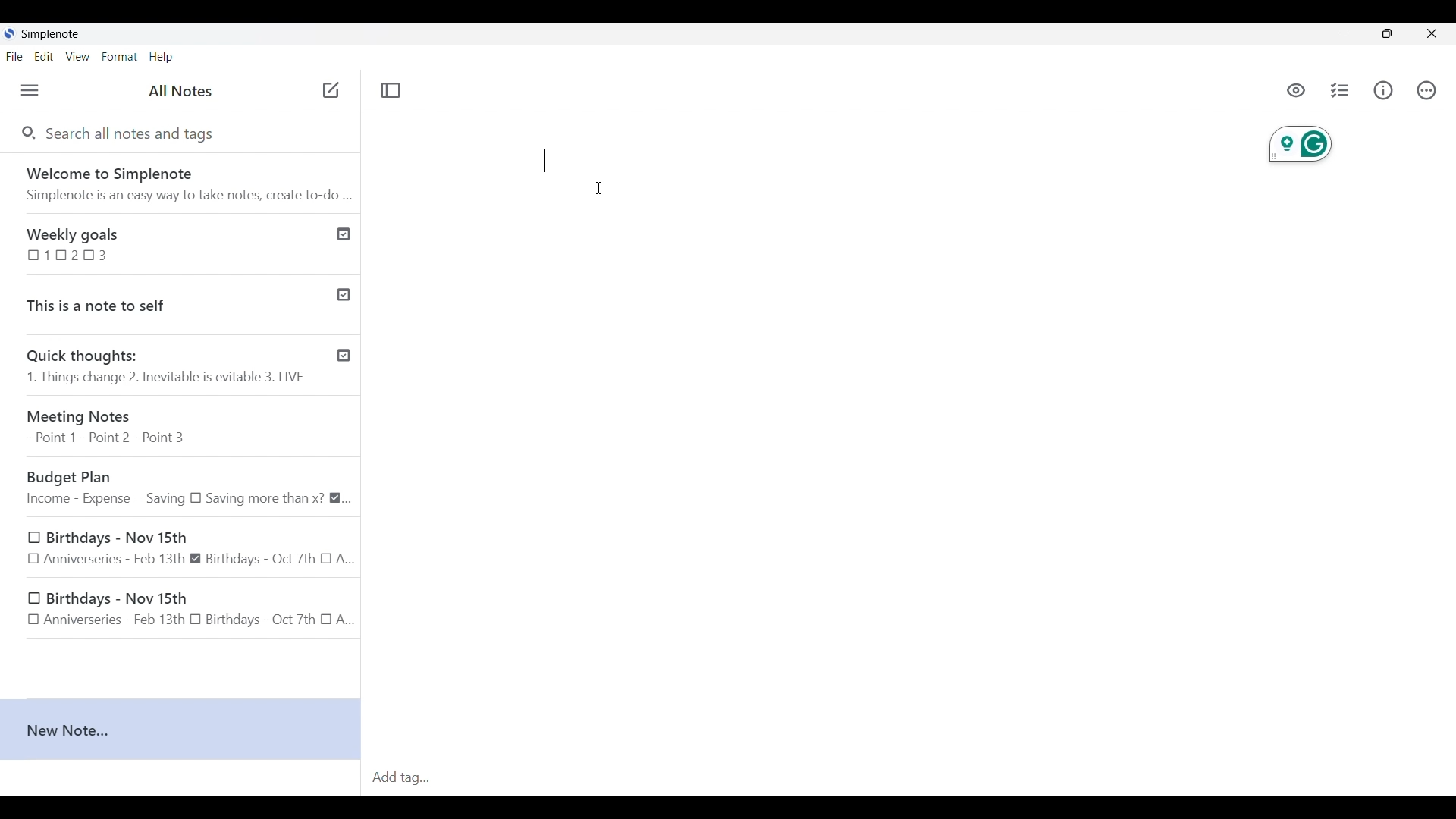 The image size is (1456, 819). What do you see at coordinates (1343, 33) in the screenshot?
I see `Minimize` at bounding box center [1343, 33].